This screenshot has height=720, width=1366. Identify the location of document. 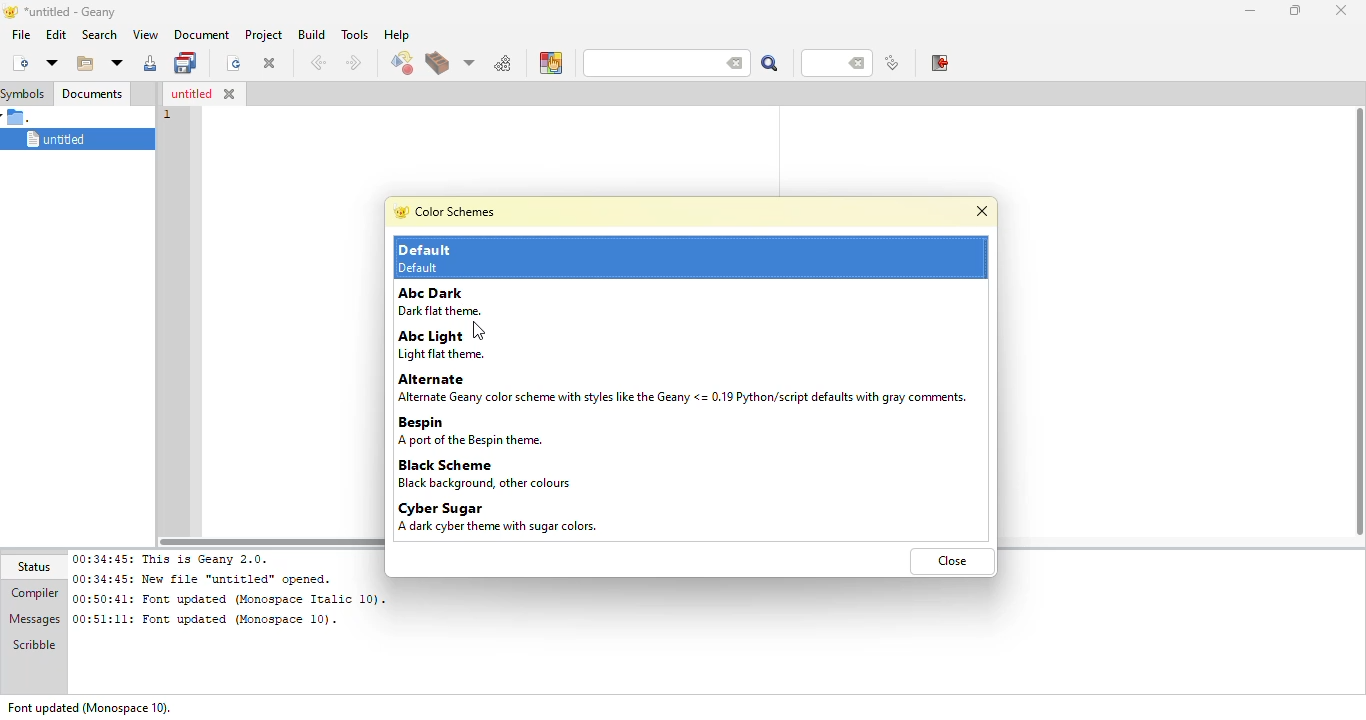
(199, 35).